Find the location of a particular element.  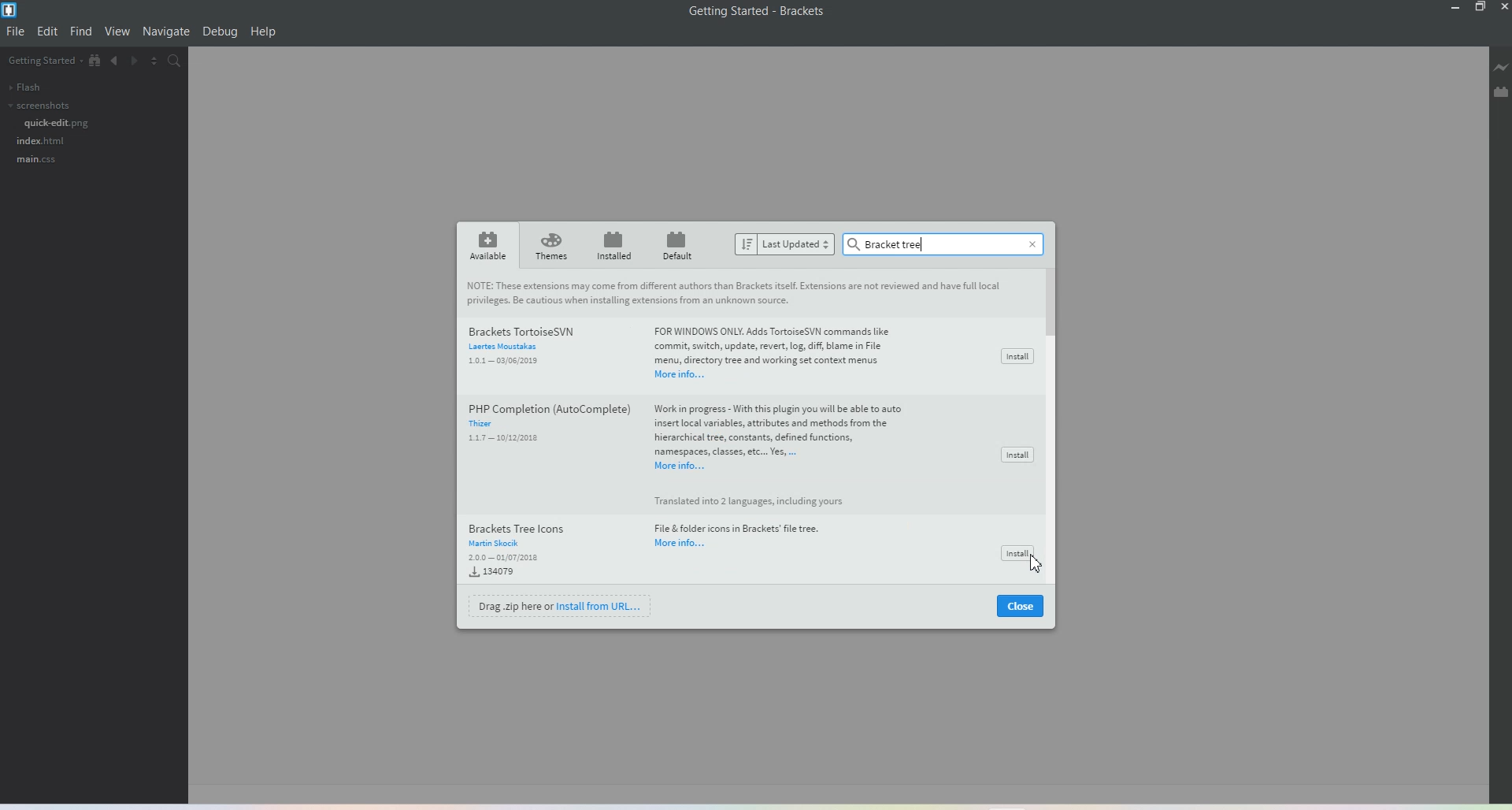

Close is located at coordinates (1021, 607).